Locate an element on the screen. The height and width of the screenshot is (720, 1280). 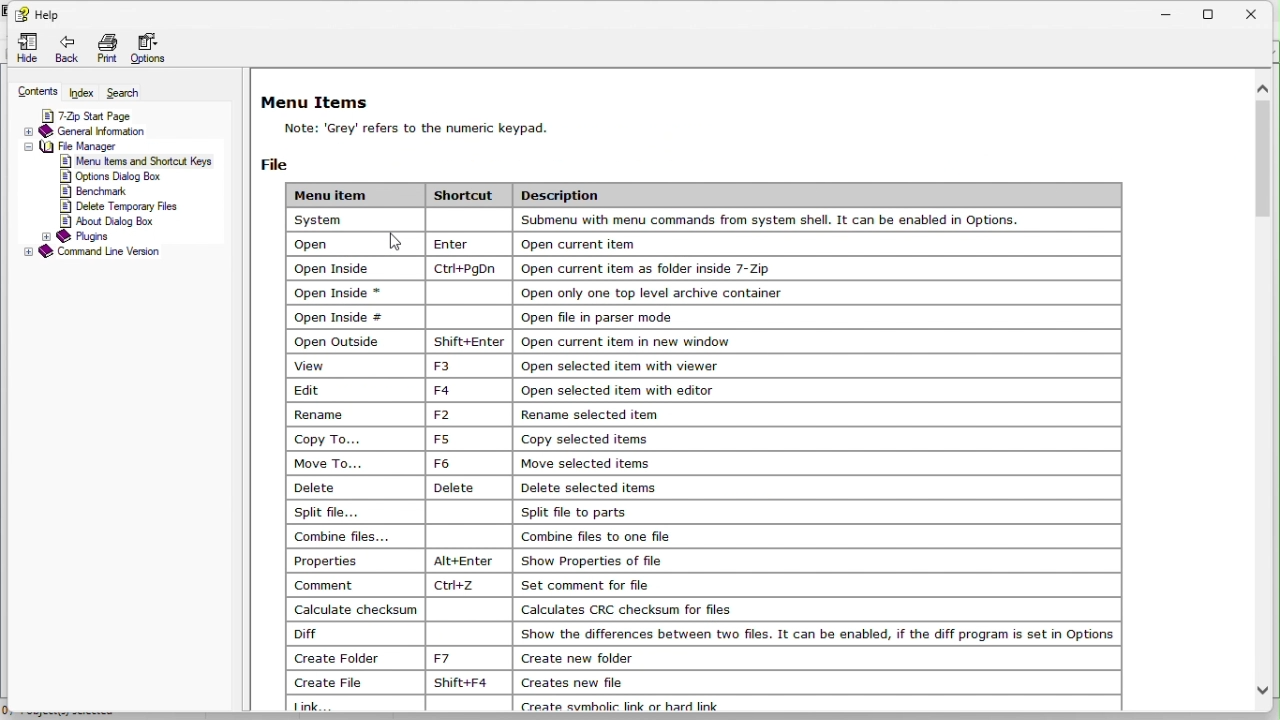
File is located at coordinates (281, 161).